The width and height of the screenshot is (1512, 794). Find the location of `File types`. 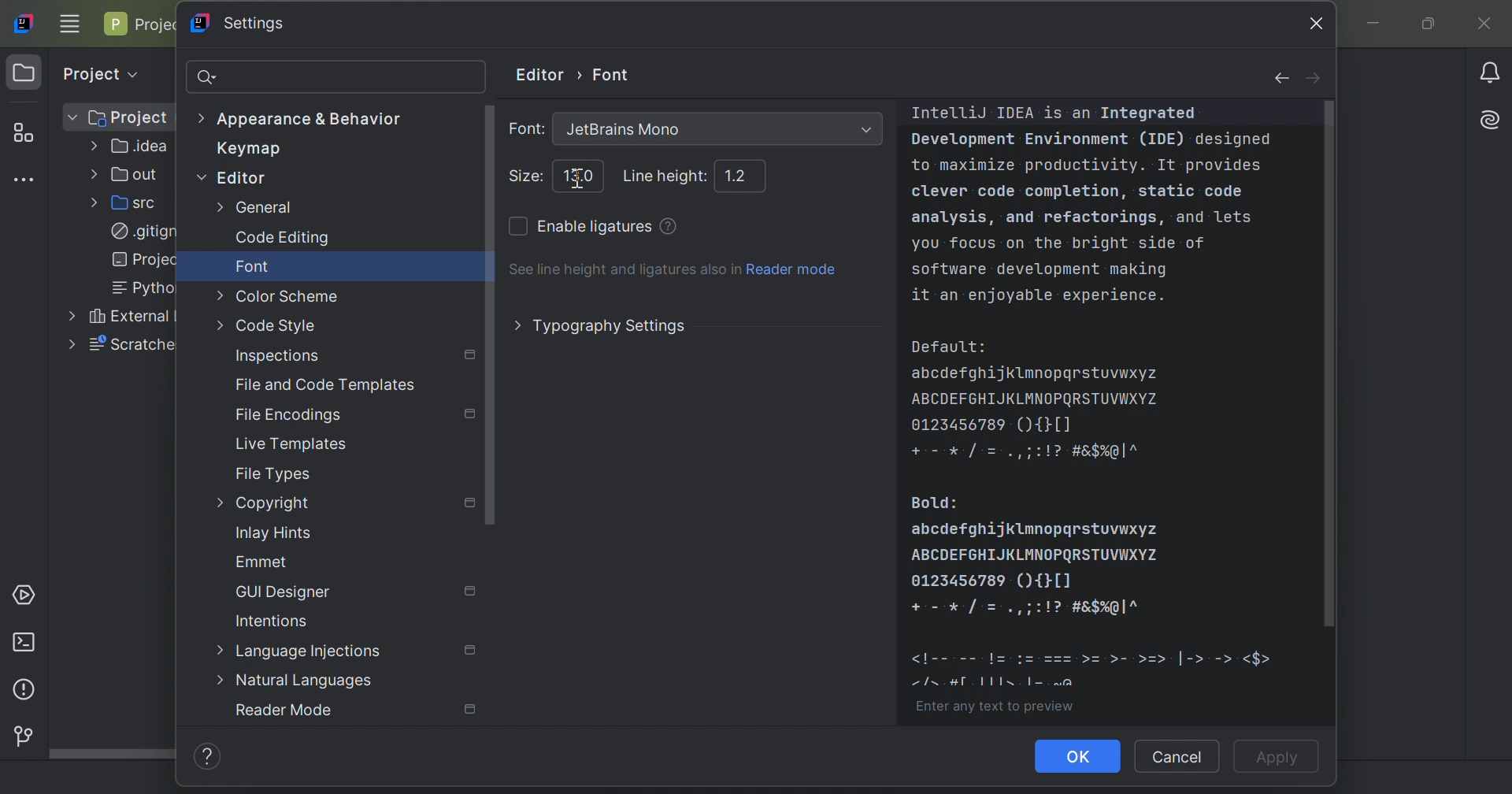

File types is located at coordinates (275, 473).